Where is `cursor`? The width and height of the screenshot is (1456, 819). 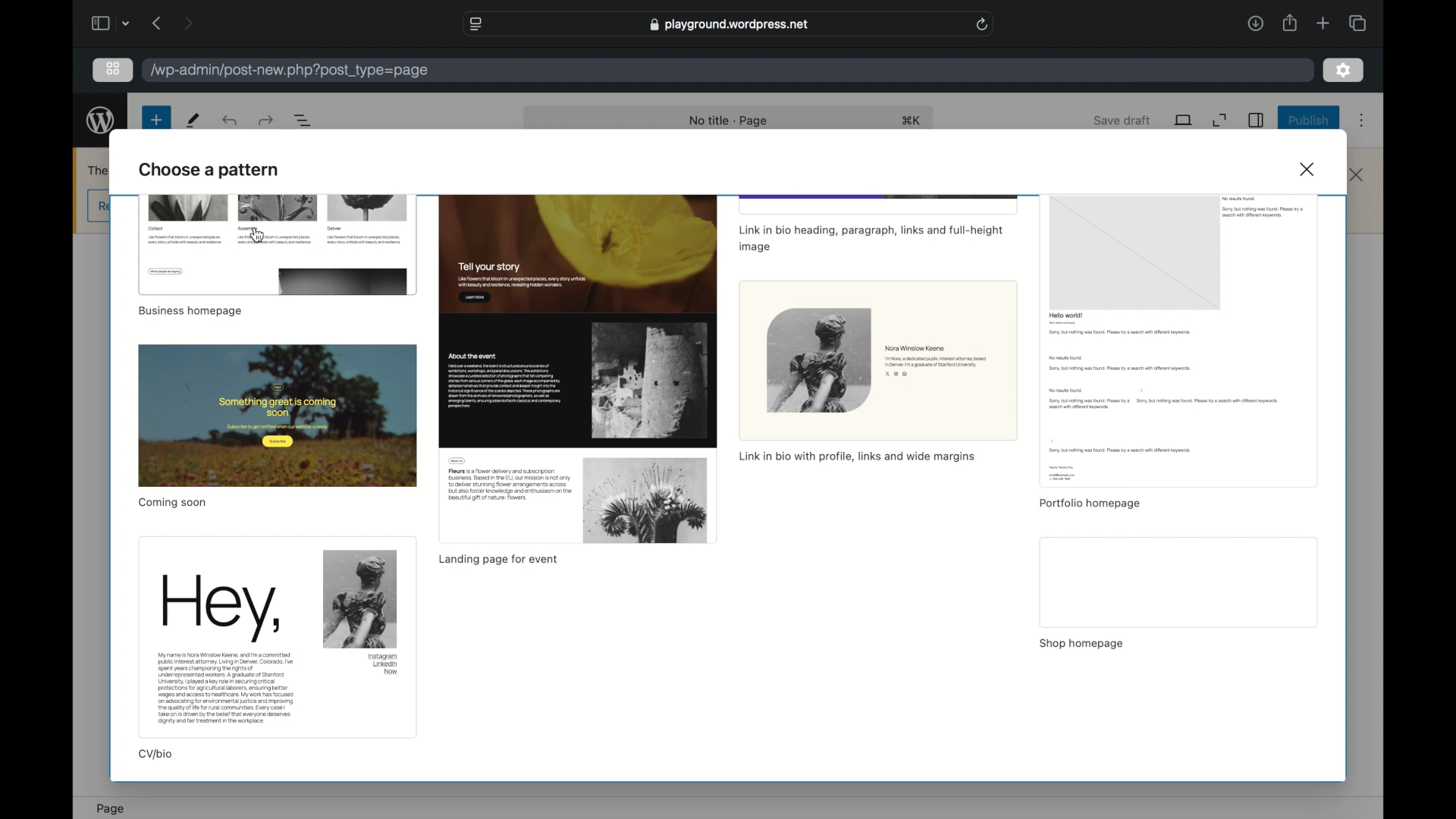
cursor is located at coordinates (256, 235).